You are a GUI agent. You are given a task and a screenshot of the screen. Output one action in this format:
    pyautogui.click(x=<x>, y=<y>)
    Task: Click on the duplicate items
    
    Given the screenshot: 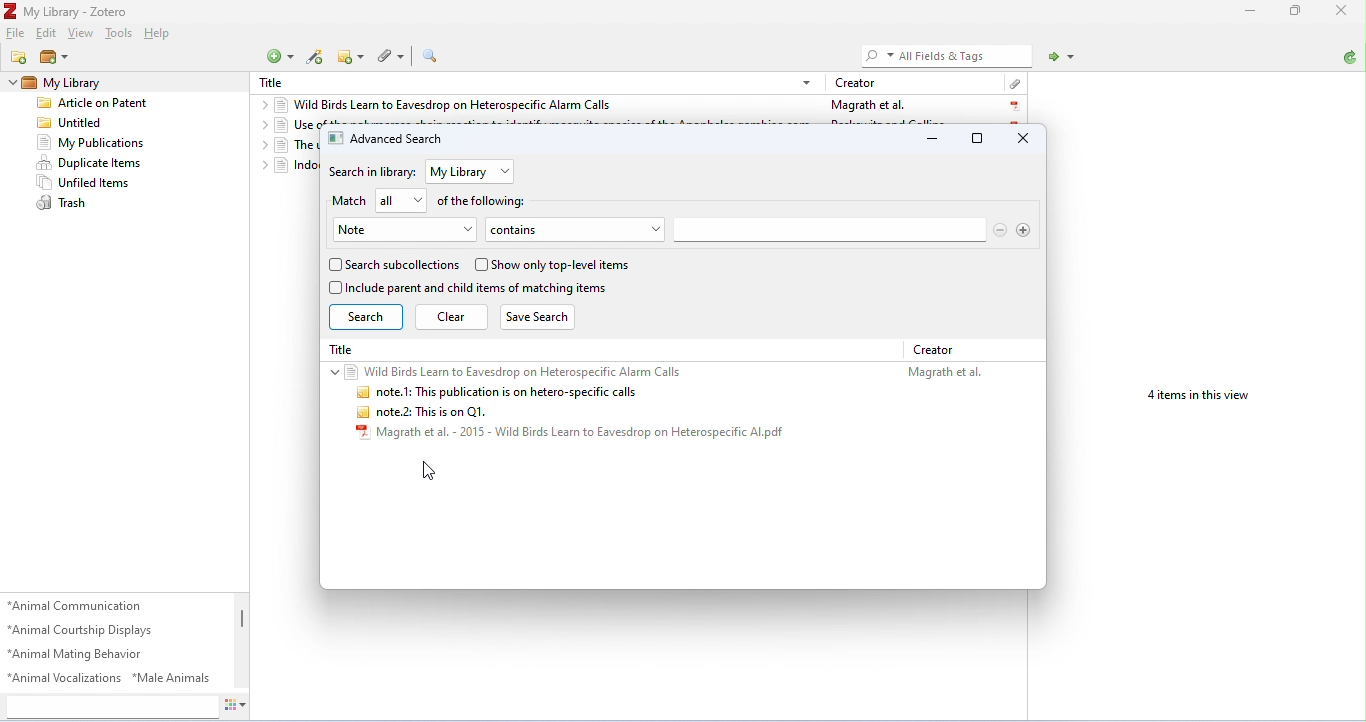 What is the action you would take?
    pyautogui.click(x=90, y=162)
    